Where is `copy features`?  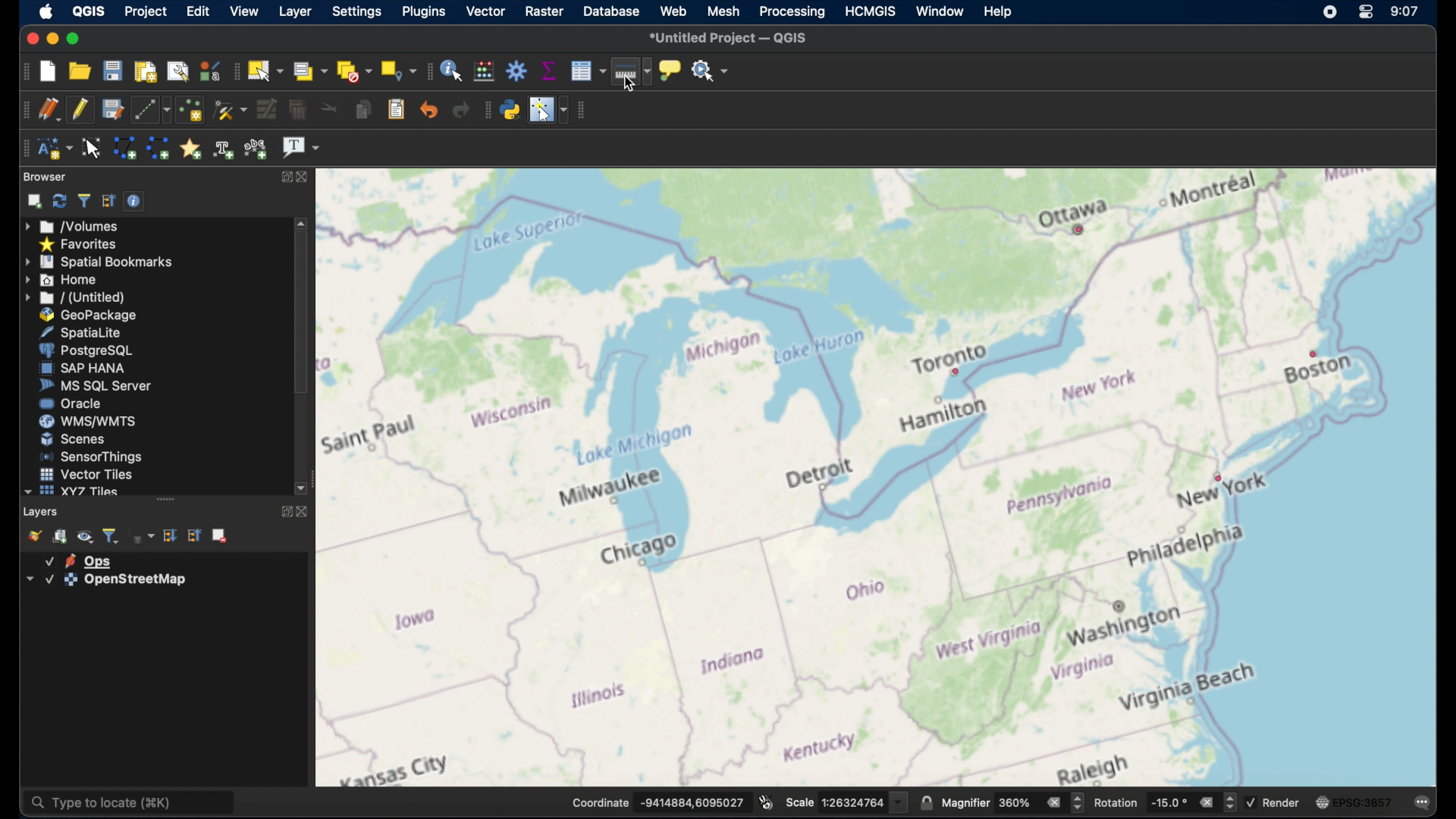
copy features is located at coordinates (362, 110).